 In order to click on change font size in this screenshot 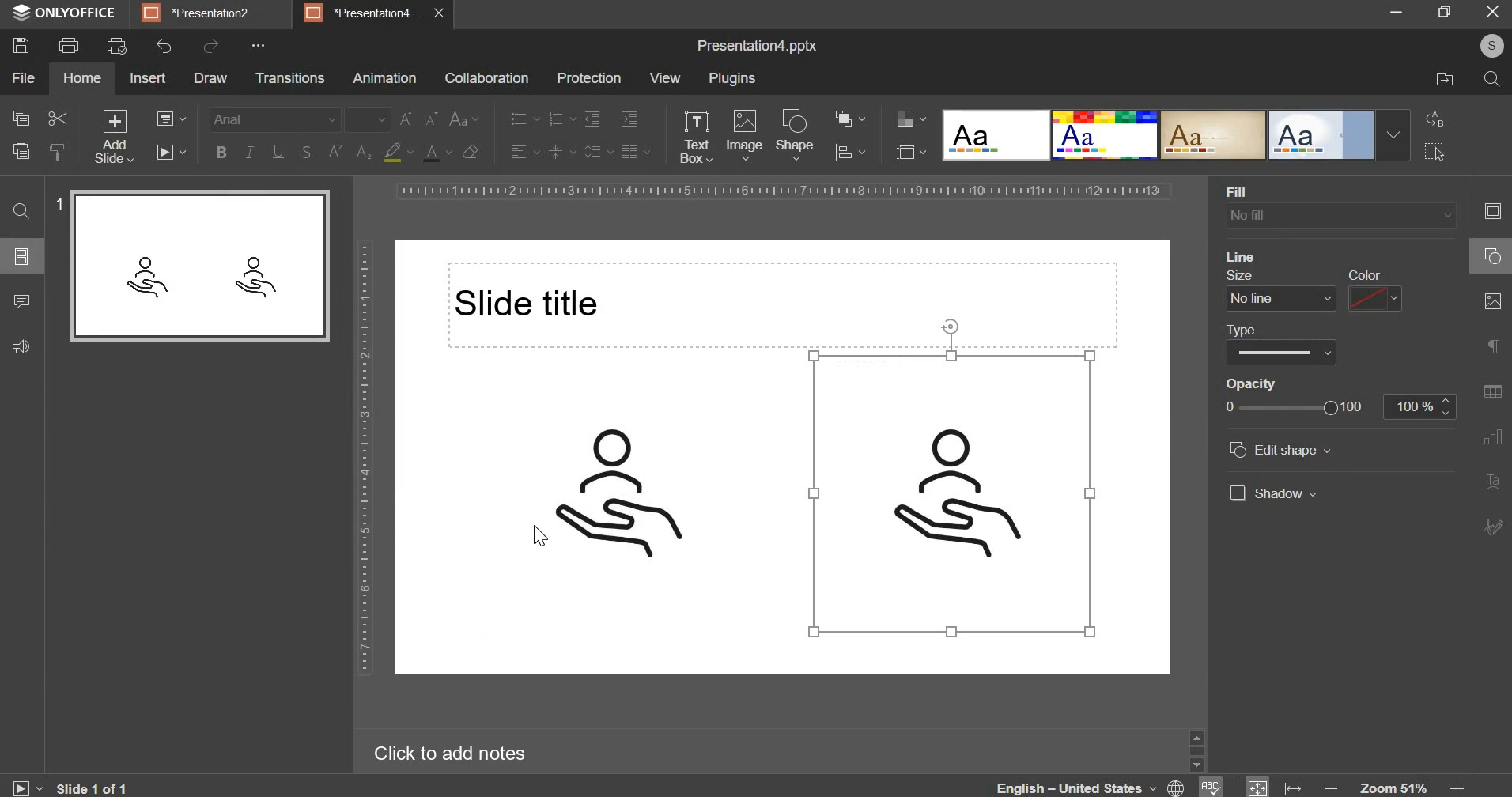, I will do `click(419, 118)`.